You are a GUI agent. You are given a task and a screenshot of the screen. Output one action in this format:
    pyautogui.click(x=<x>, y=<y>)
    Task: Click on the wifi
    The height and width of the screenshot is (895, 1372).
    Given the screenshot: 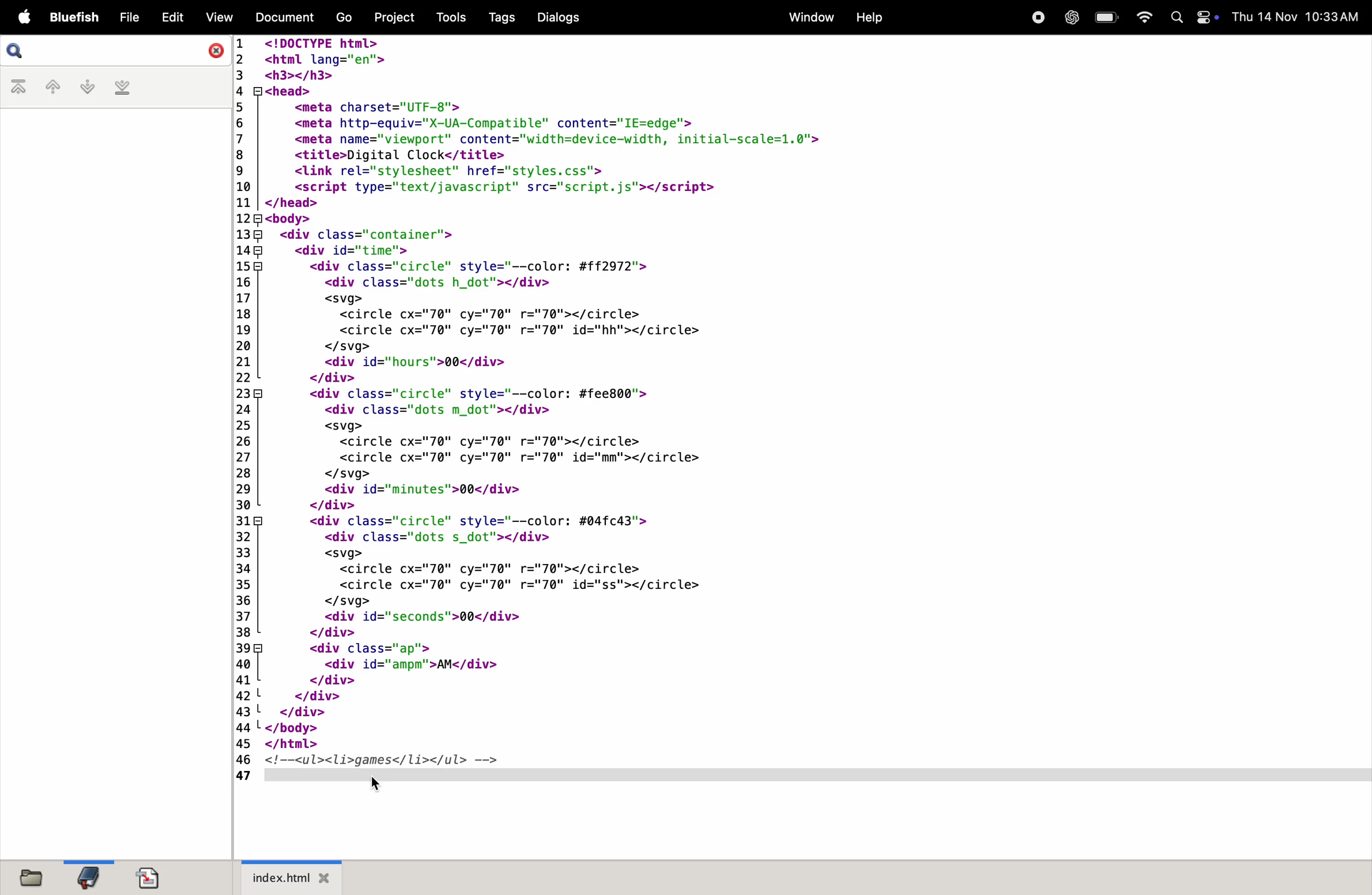 What is the action you would take?
    pyautogui.click(x=1143, y=16)
    